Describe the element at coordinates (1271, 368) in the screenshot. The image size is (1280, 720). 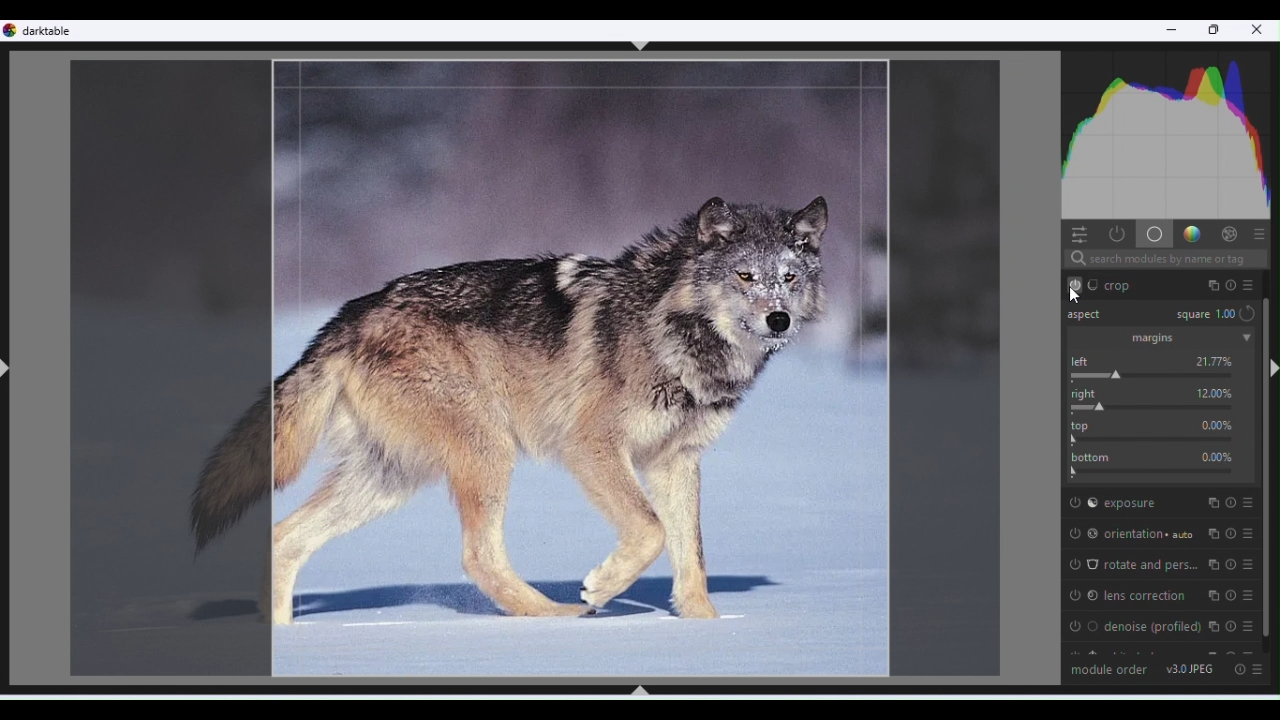
I see `ctrl+shift+r` at that location.